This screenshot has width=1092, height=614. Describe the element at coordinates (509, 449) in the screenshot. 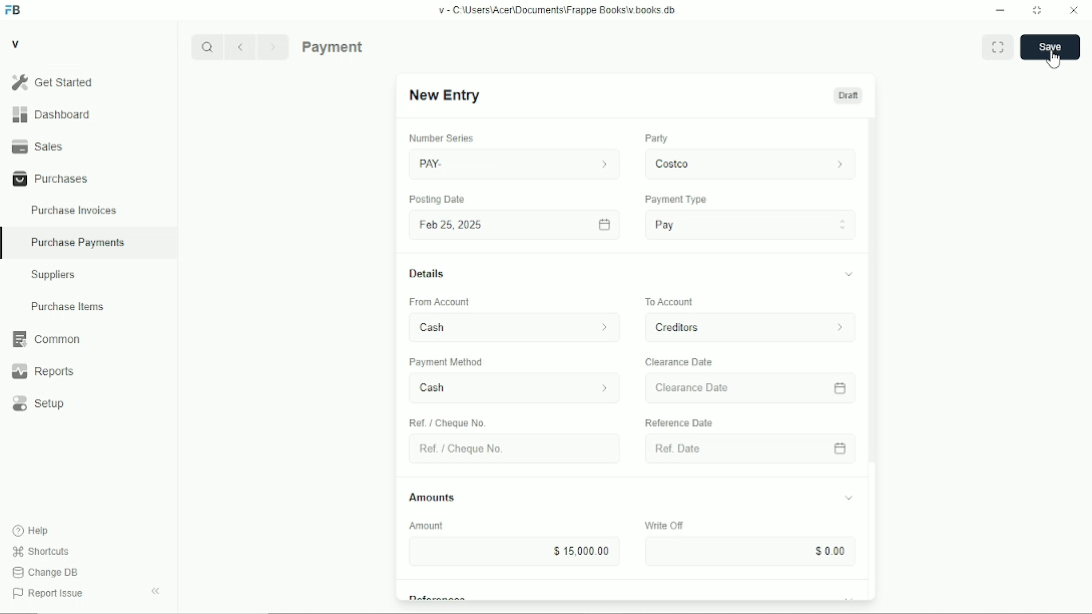

I see `Ret. Choque No.` at that location.